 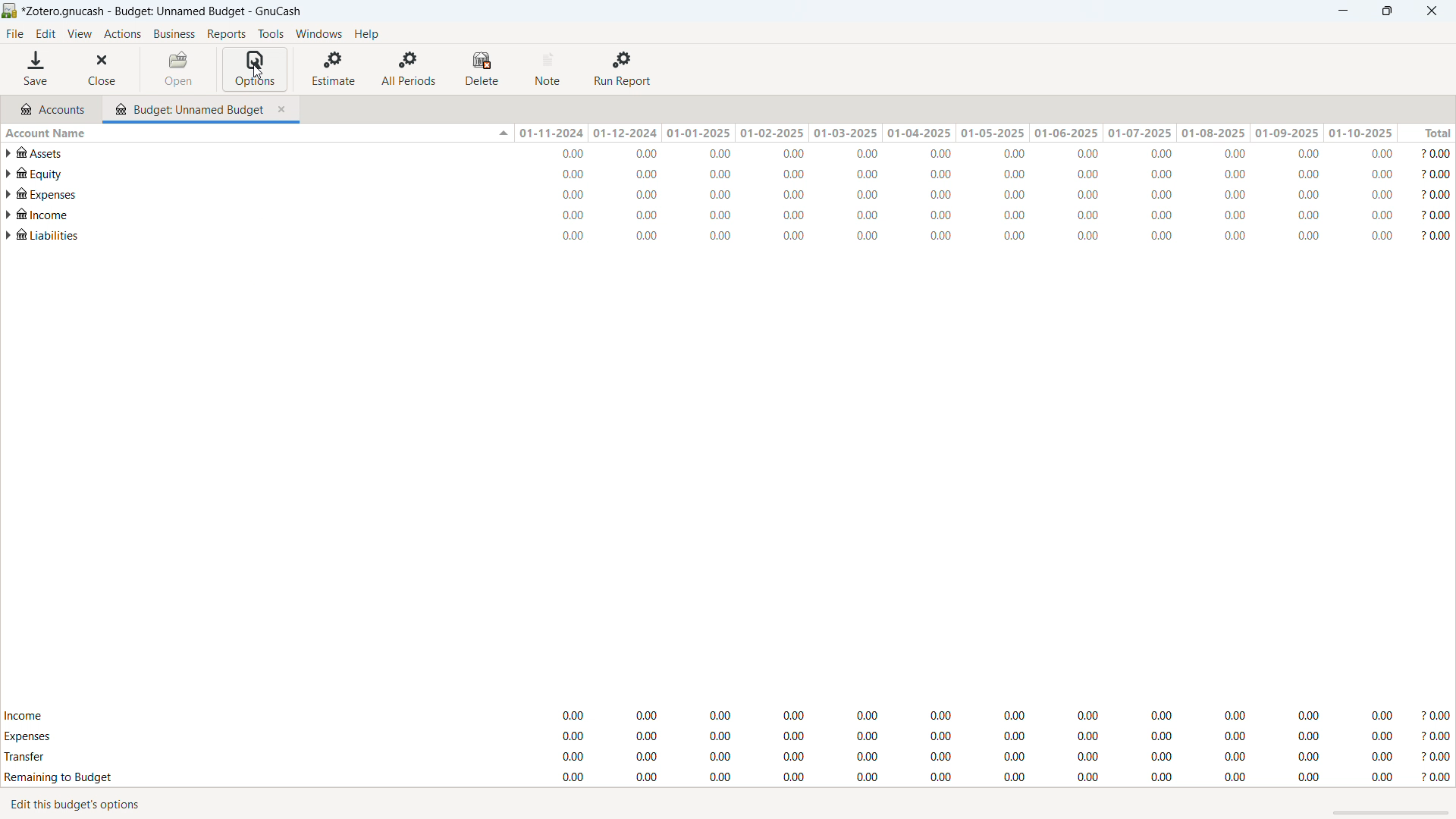 I want to click on account statement for "Expenses", so click(x=738, y=194).